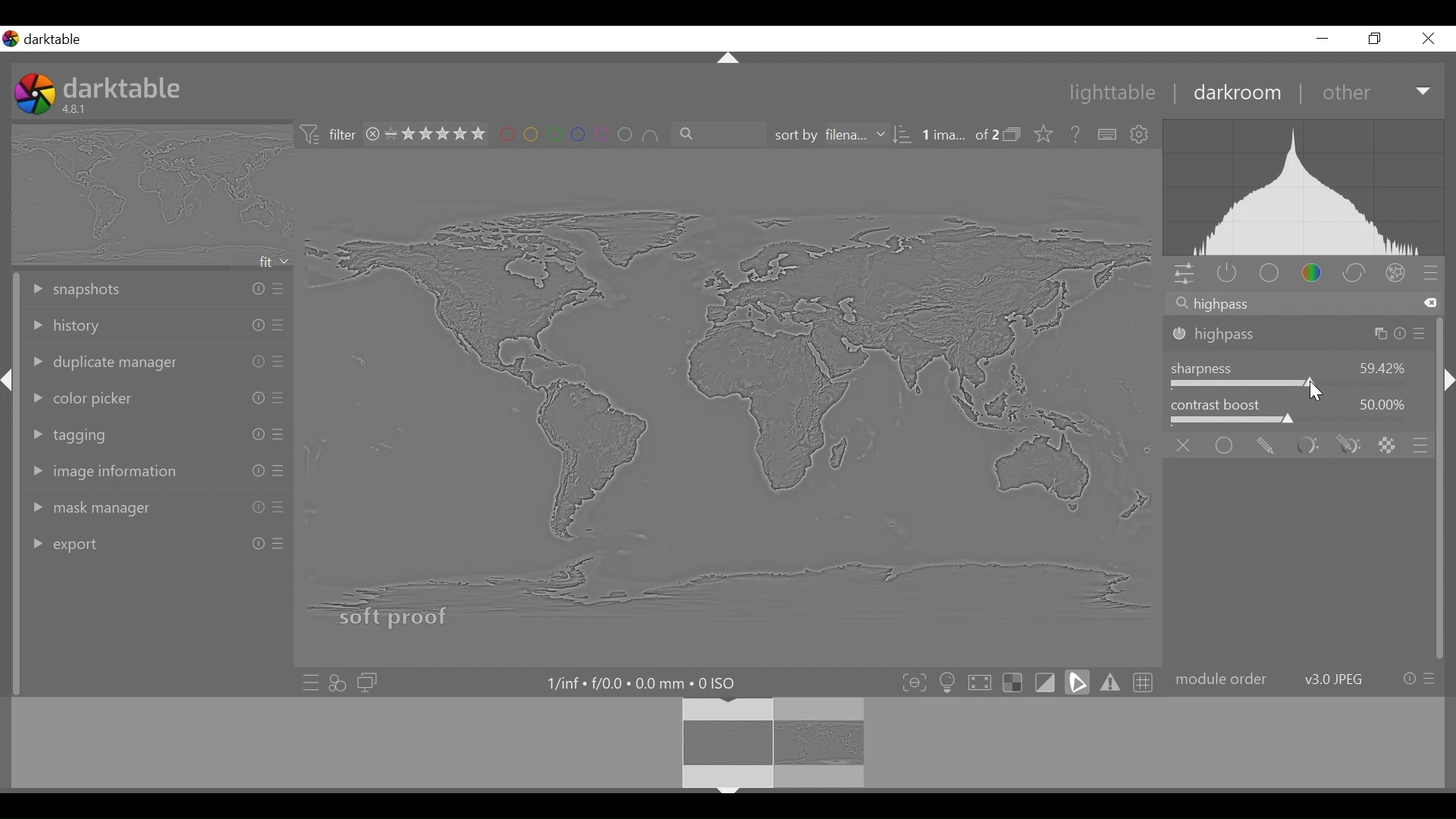  I want to click on Help, so click(1076, 133).